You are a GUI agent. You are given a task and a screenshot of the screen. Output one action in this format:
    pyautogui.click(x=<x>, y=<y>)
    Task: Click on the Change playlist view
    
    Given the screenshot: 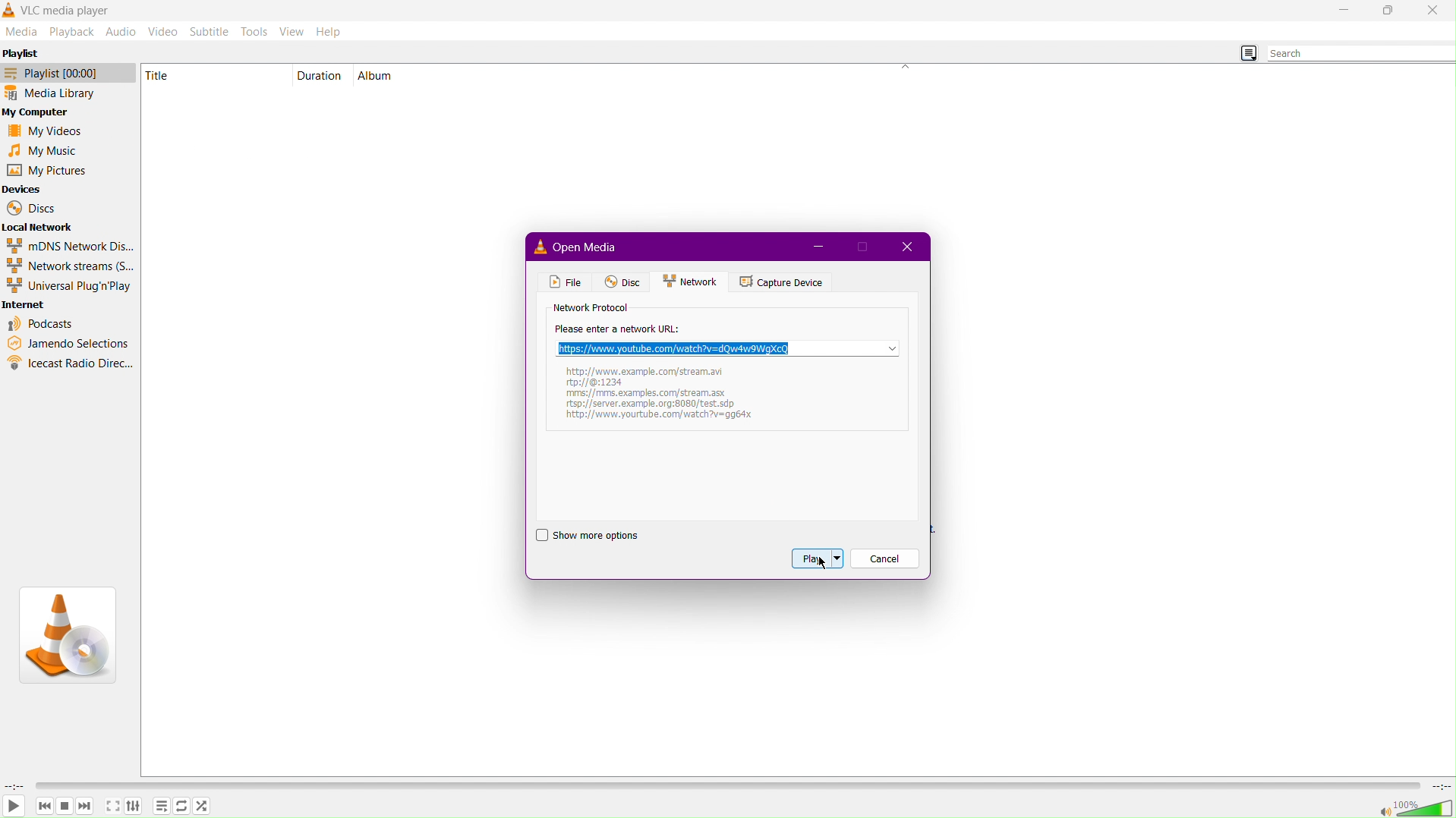 What is the action you would take?
    pyautogui.click(x=1246, y=52)
    